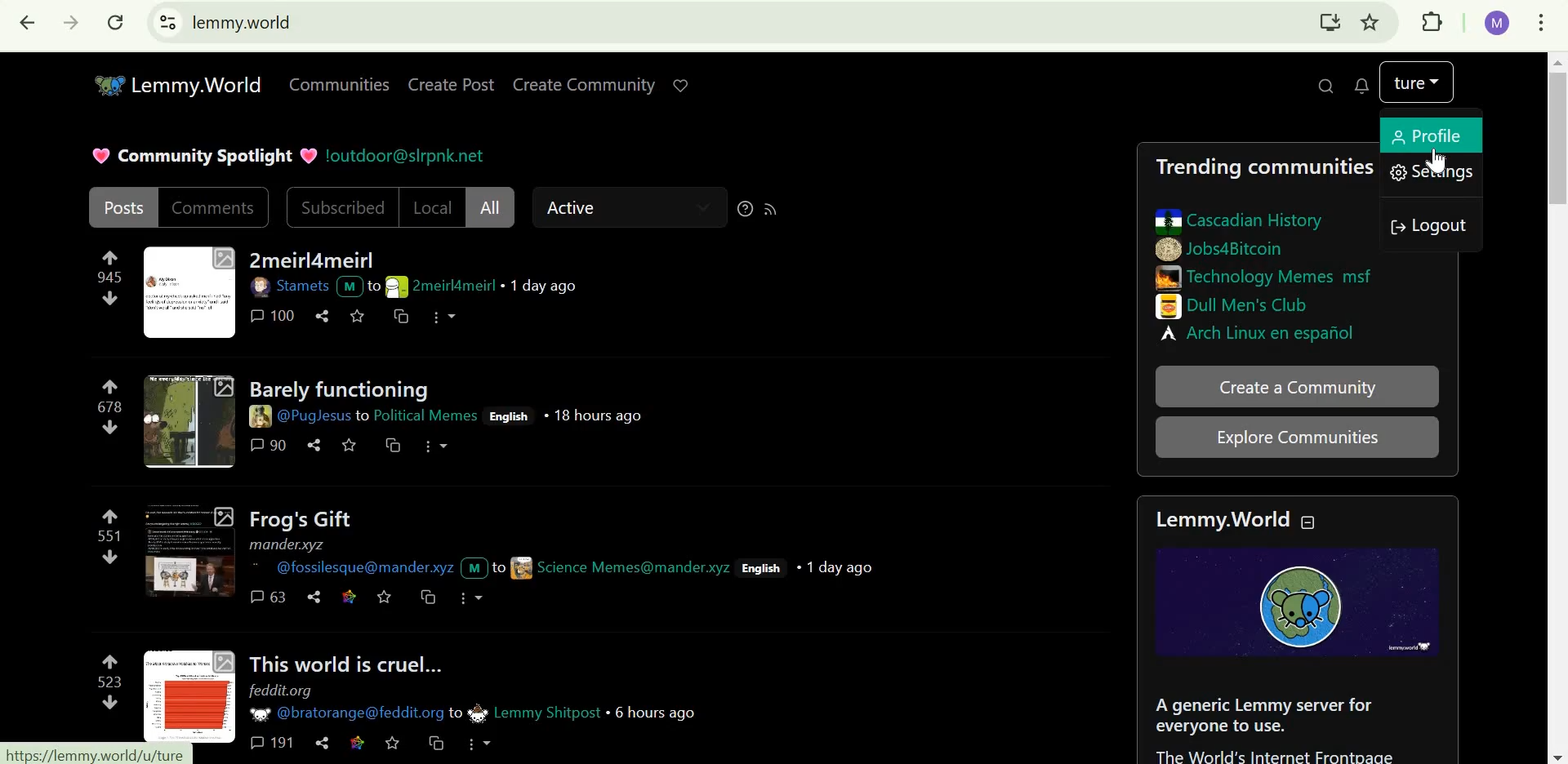 The image size is (1568, 764). I want to click on feddit.org, so click(285, 691).